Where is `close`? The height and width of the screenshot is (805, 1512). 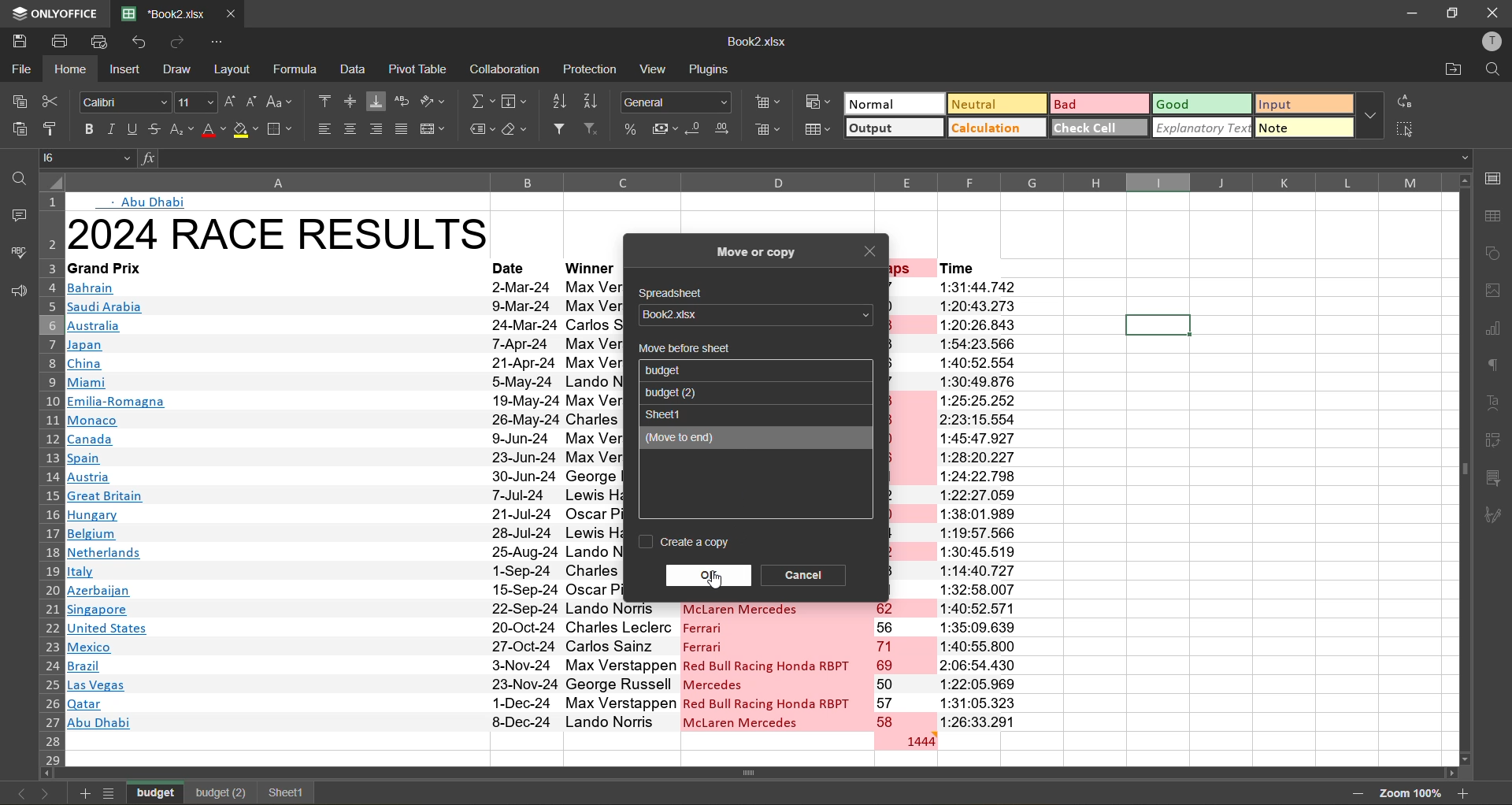 close is located at coordinates (872, 254).